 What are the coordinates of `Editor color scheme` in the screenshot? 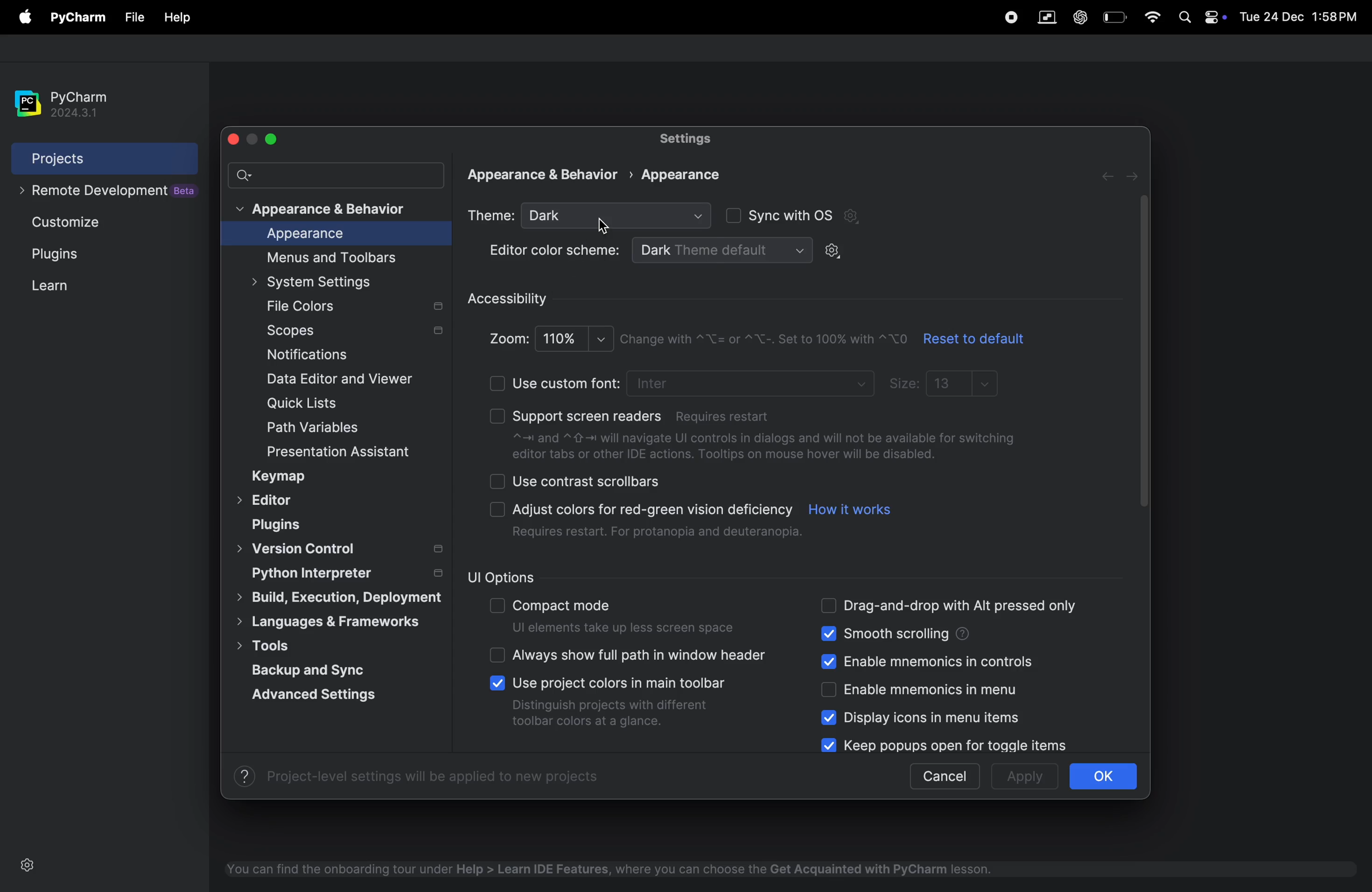 It's located at (555, 252).